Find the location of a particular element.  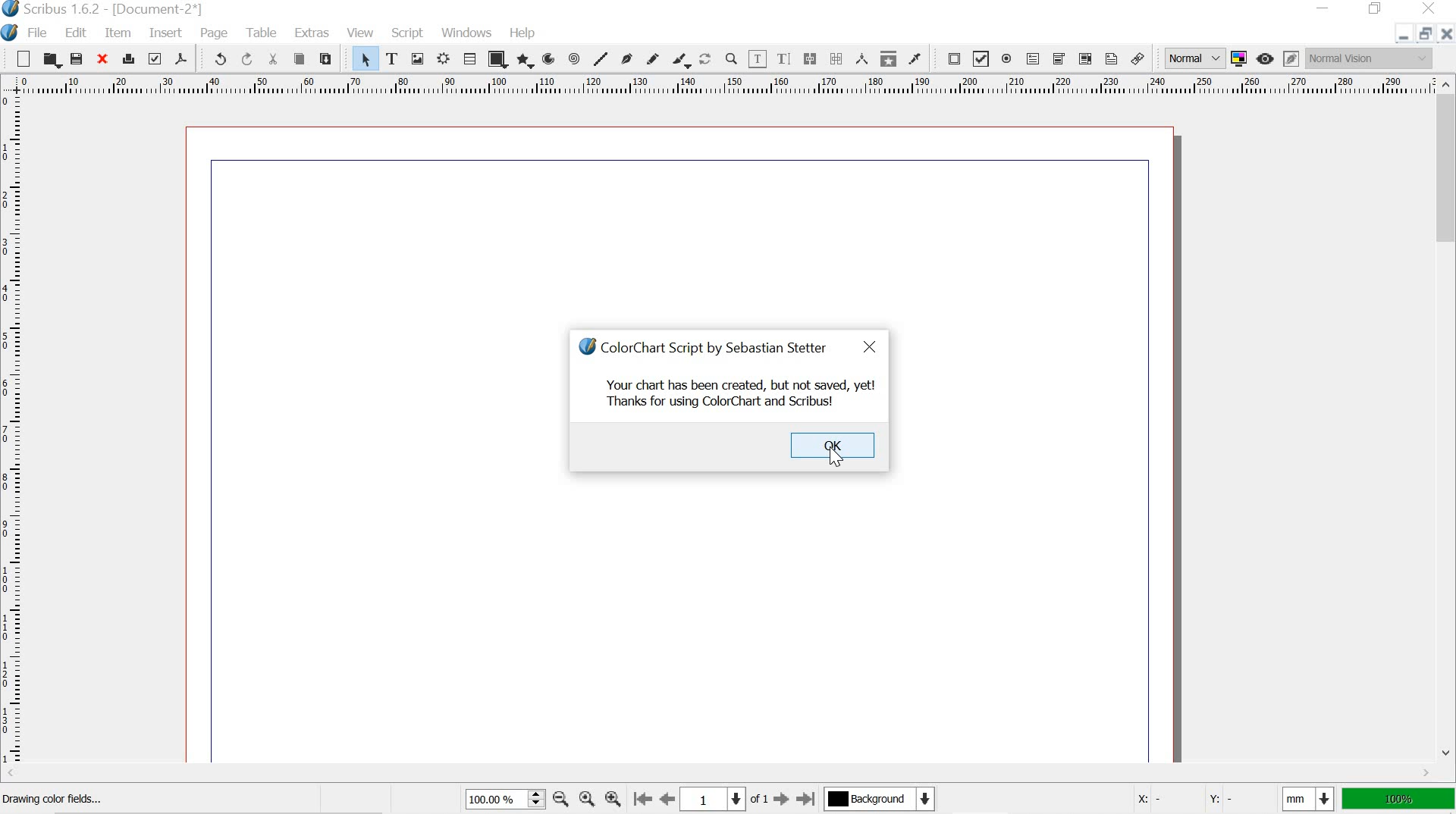

page is located at coordinates (218, 33).